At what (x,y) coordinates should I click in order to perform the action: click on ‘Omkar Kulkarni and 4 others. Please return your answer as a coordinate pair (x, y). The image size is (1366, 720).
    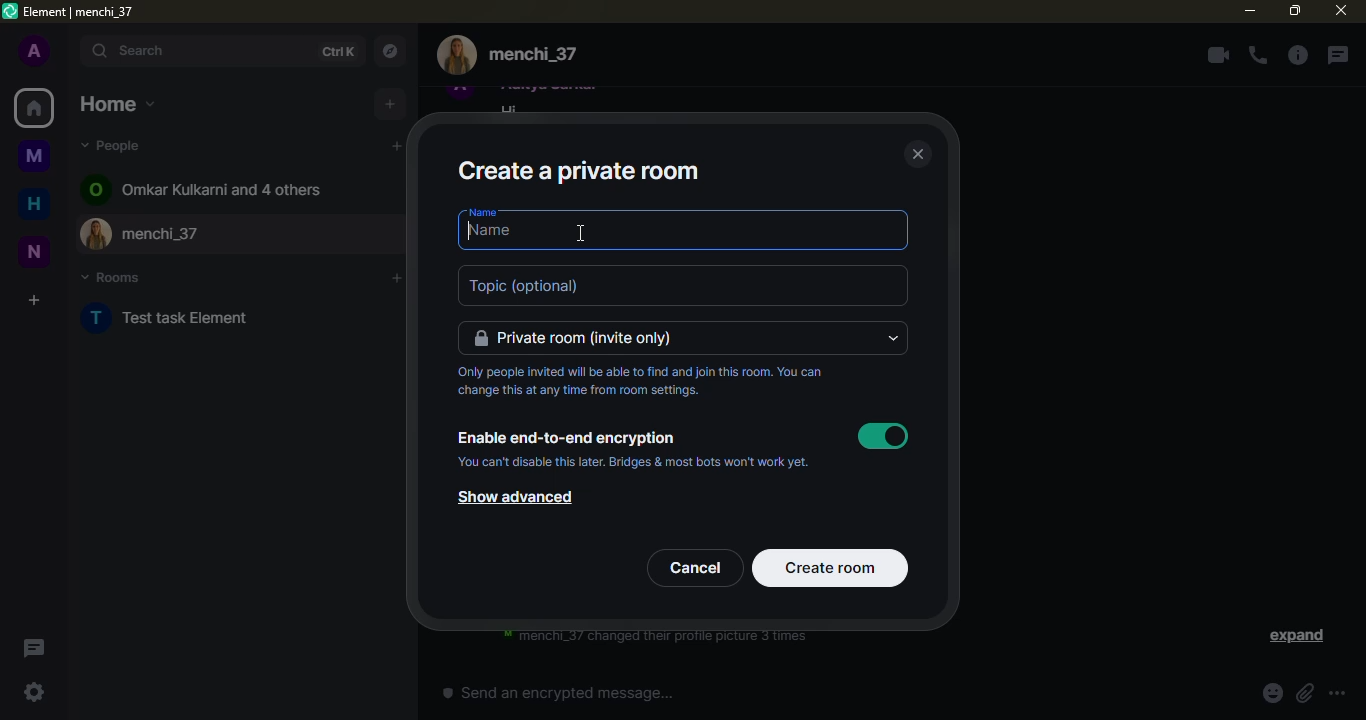
    Looking at the image, I should click on (222, 189).